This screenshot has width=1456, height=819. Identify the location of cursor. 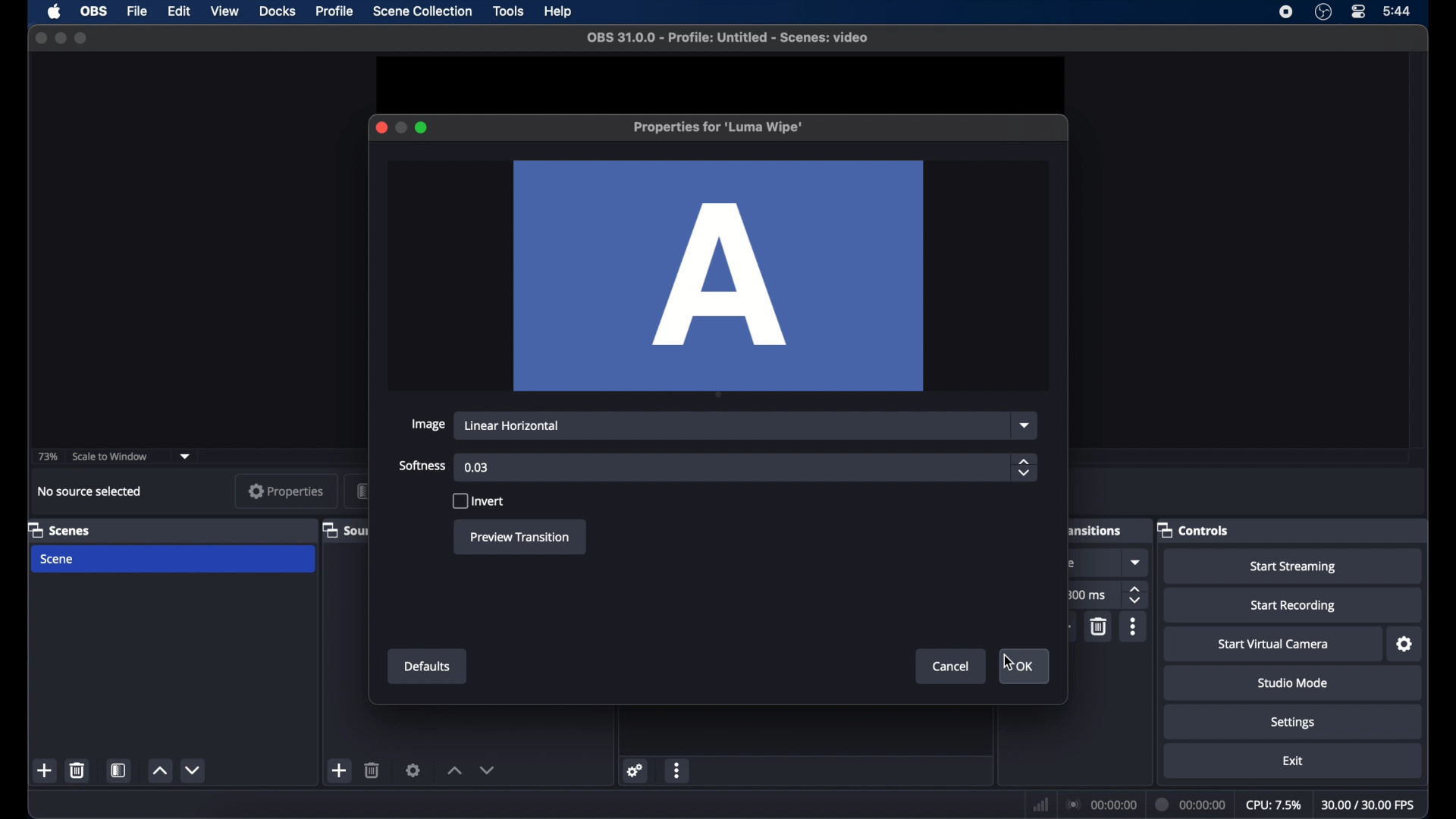
(1006, 662).